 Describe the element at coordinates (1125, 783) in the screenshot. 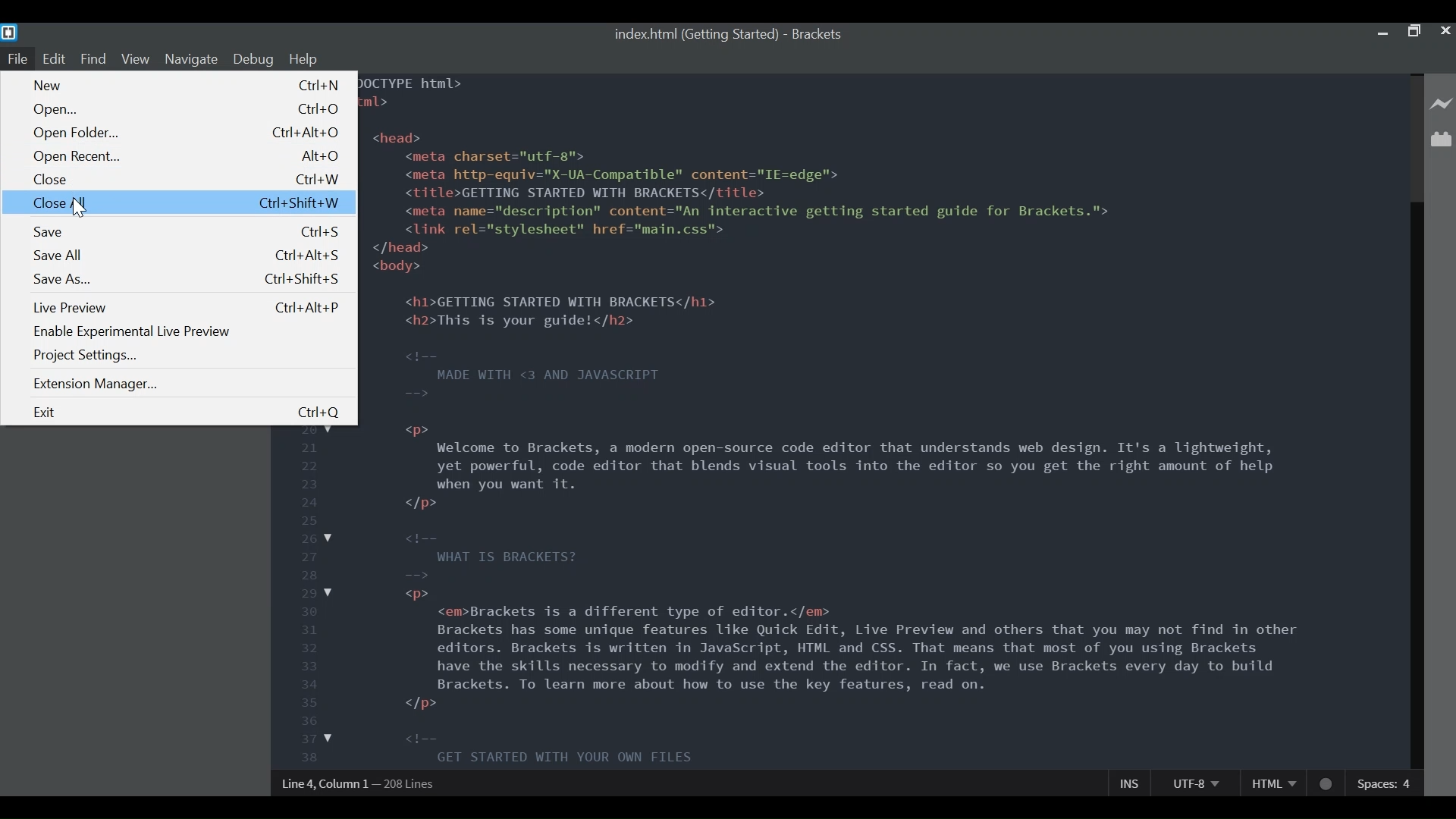

I see `Insert` at that location.